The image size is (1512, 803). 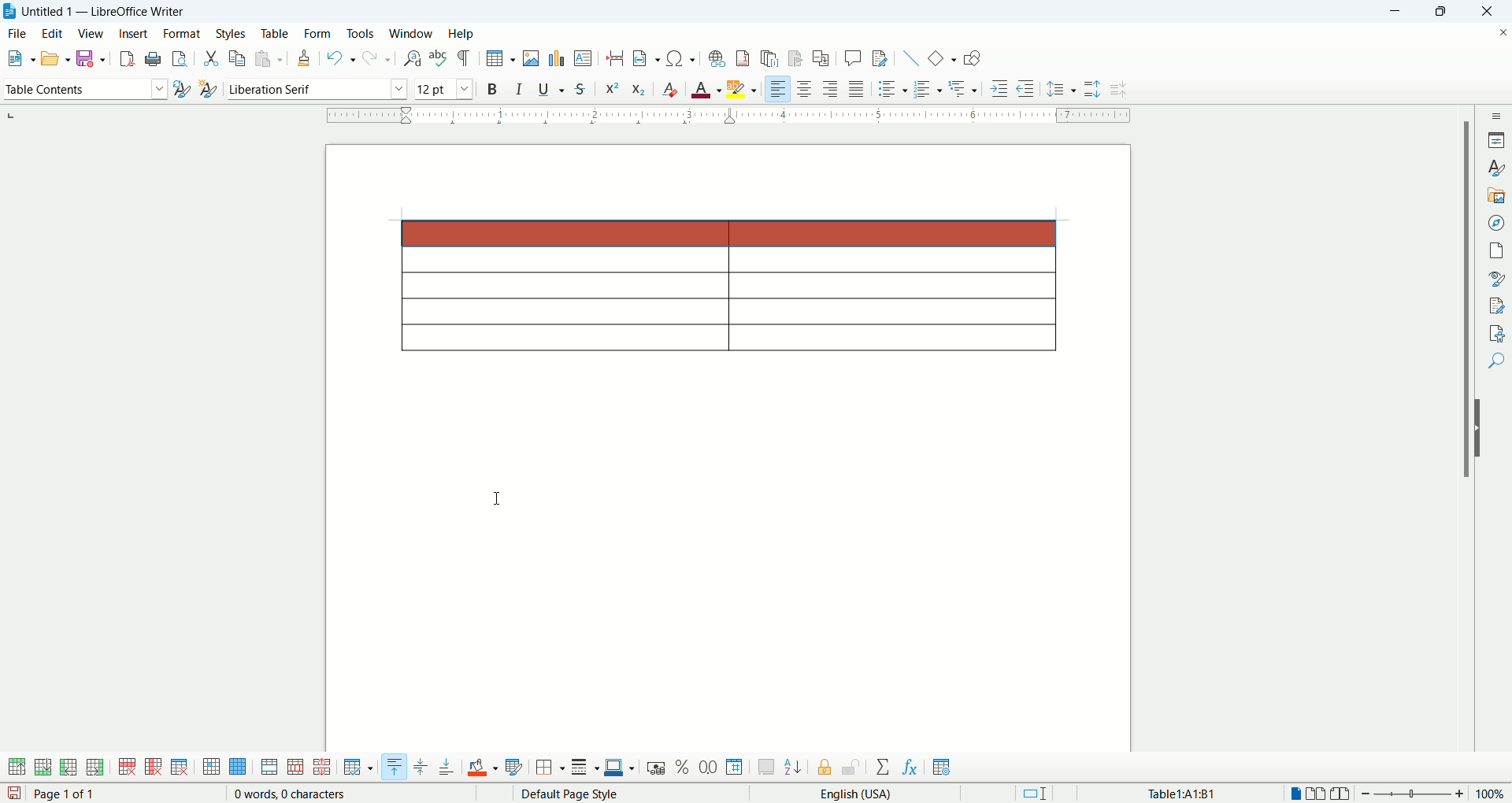 I want to click on optimize size, so click(x=359, y=768).